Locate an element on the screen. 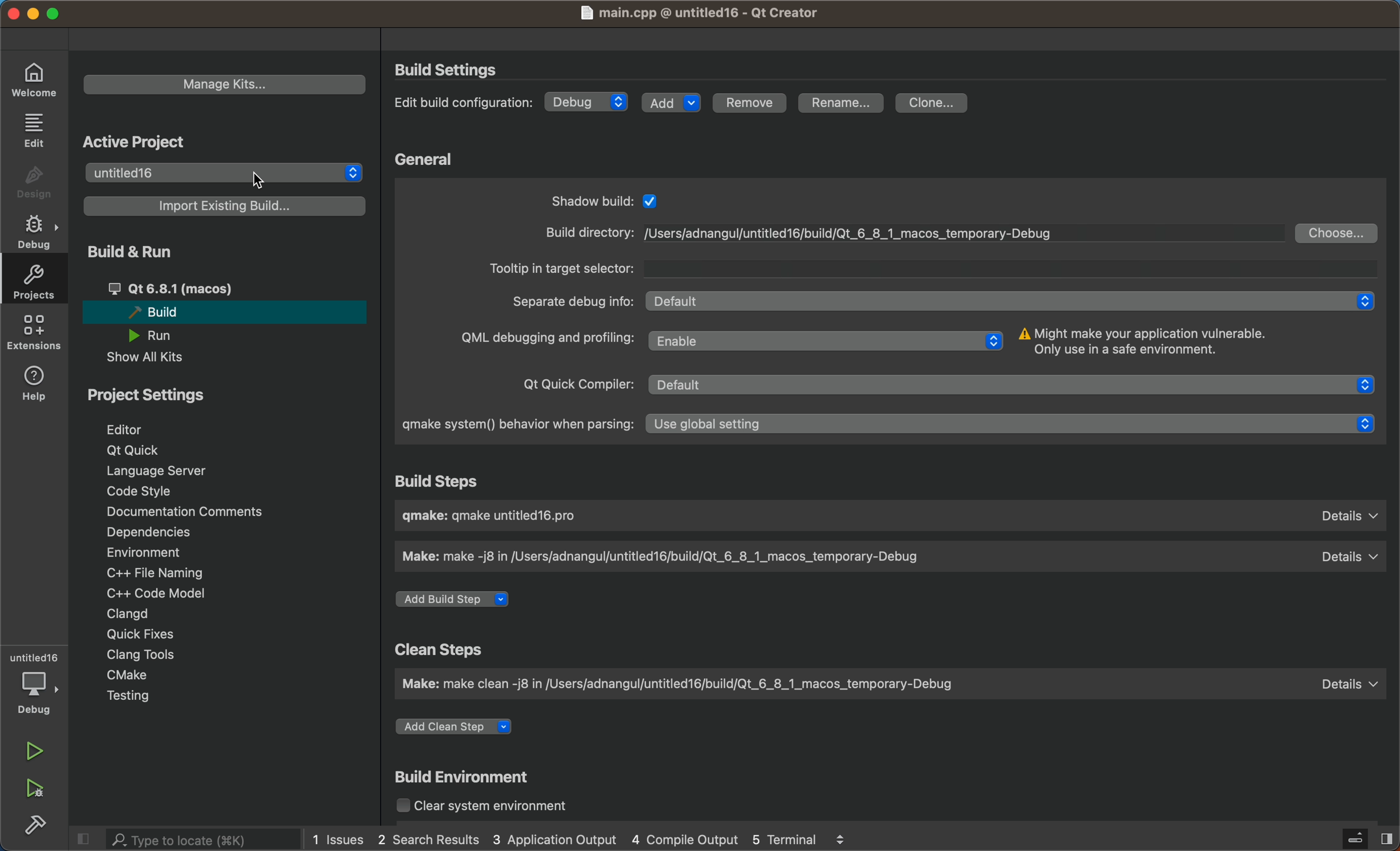  design is located at coordinates (32, 182).